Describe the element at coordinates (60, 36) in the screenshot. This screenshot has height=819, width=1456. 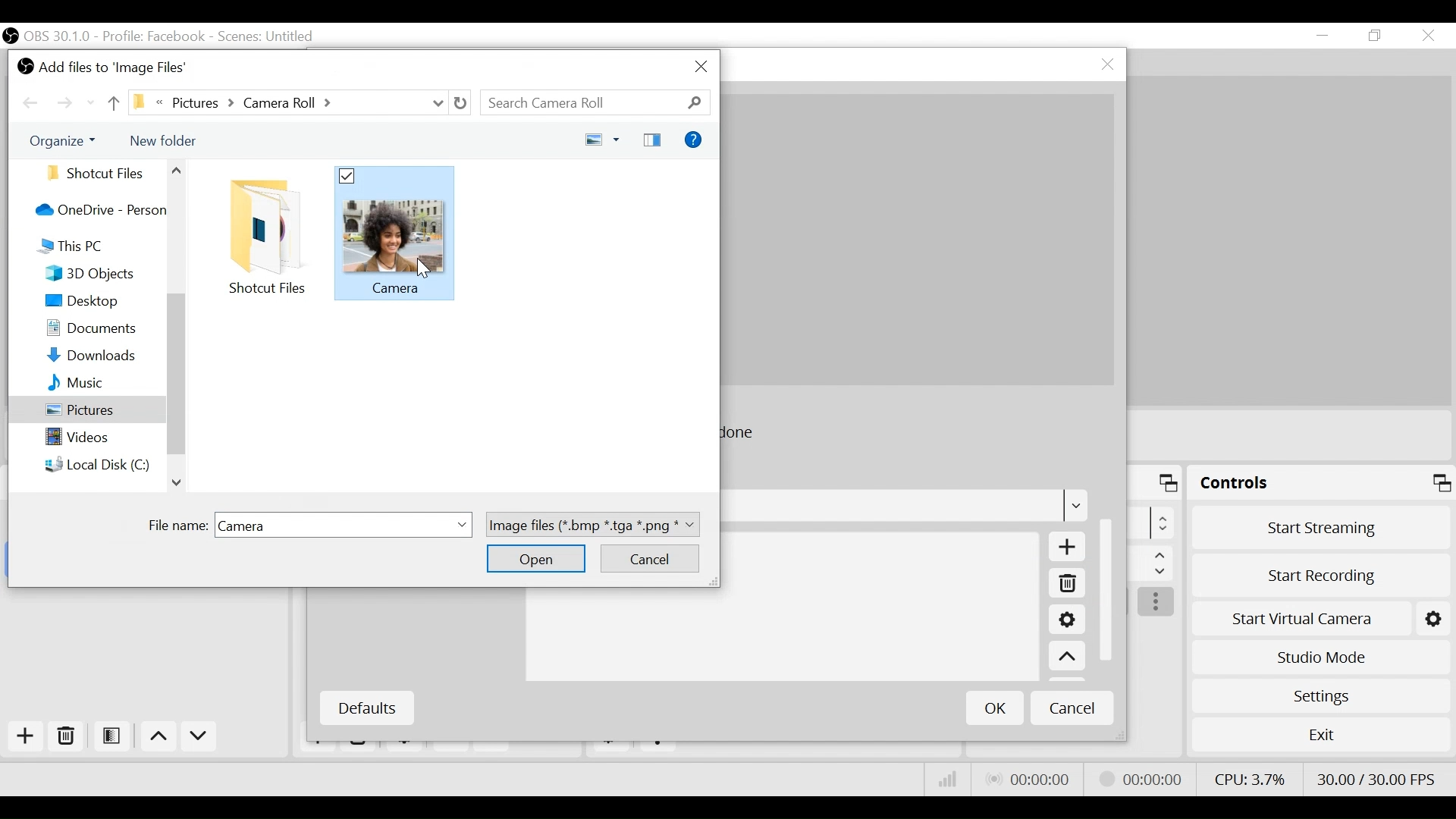
I see `OBS Version` at that location.